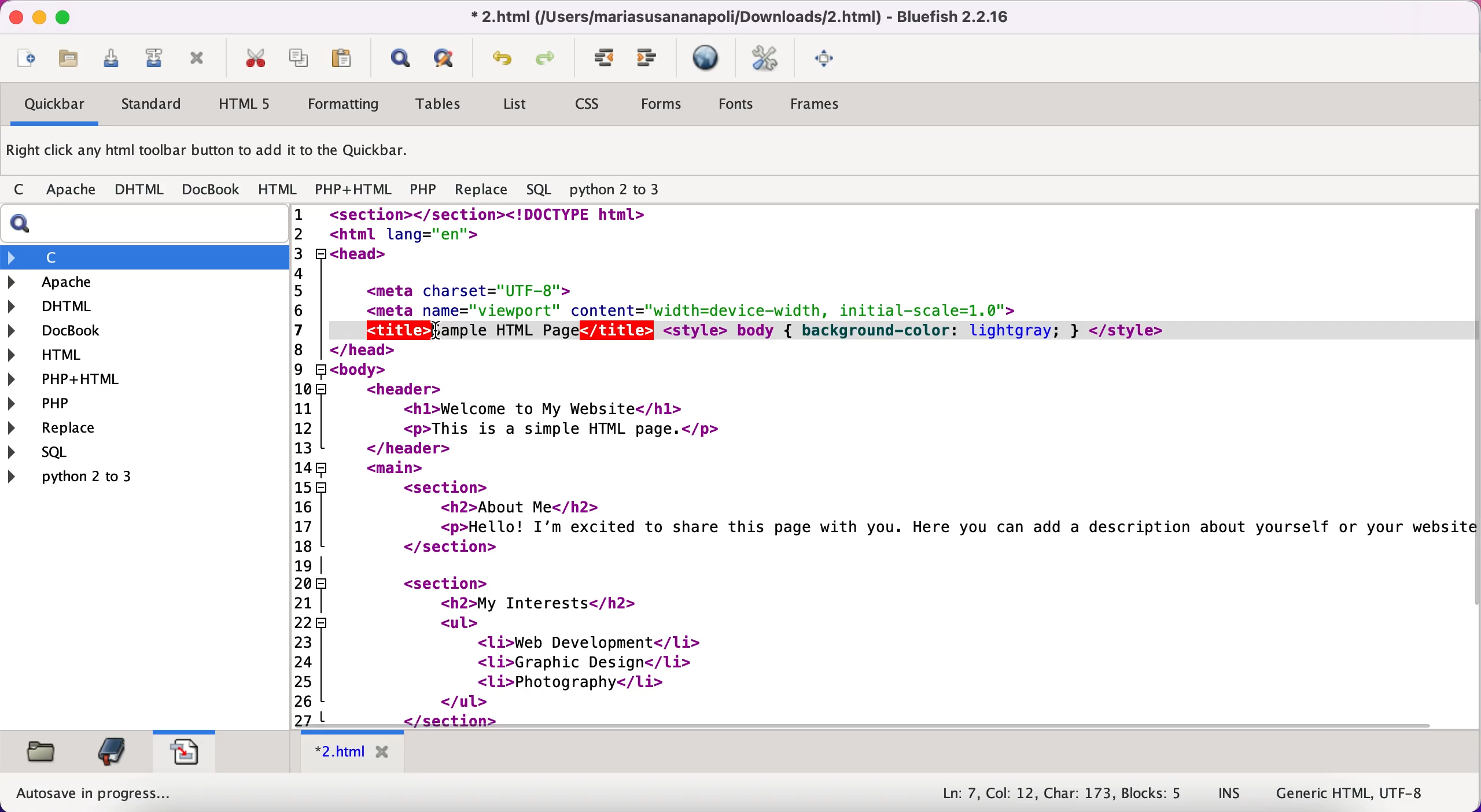 The width and height of the screenshot is (1481, 812). I want to click on ins, so click(1230, 794).